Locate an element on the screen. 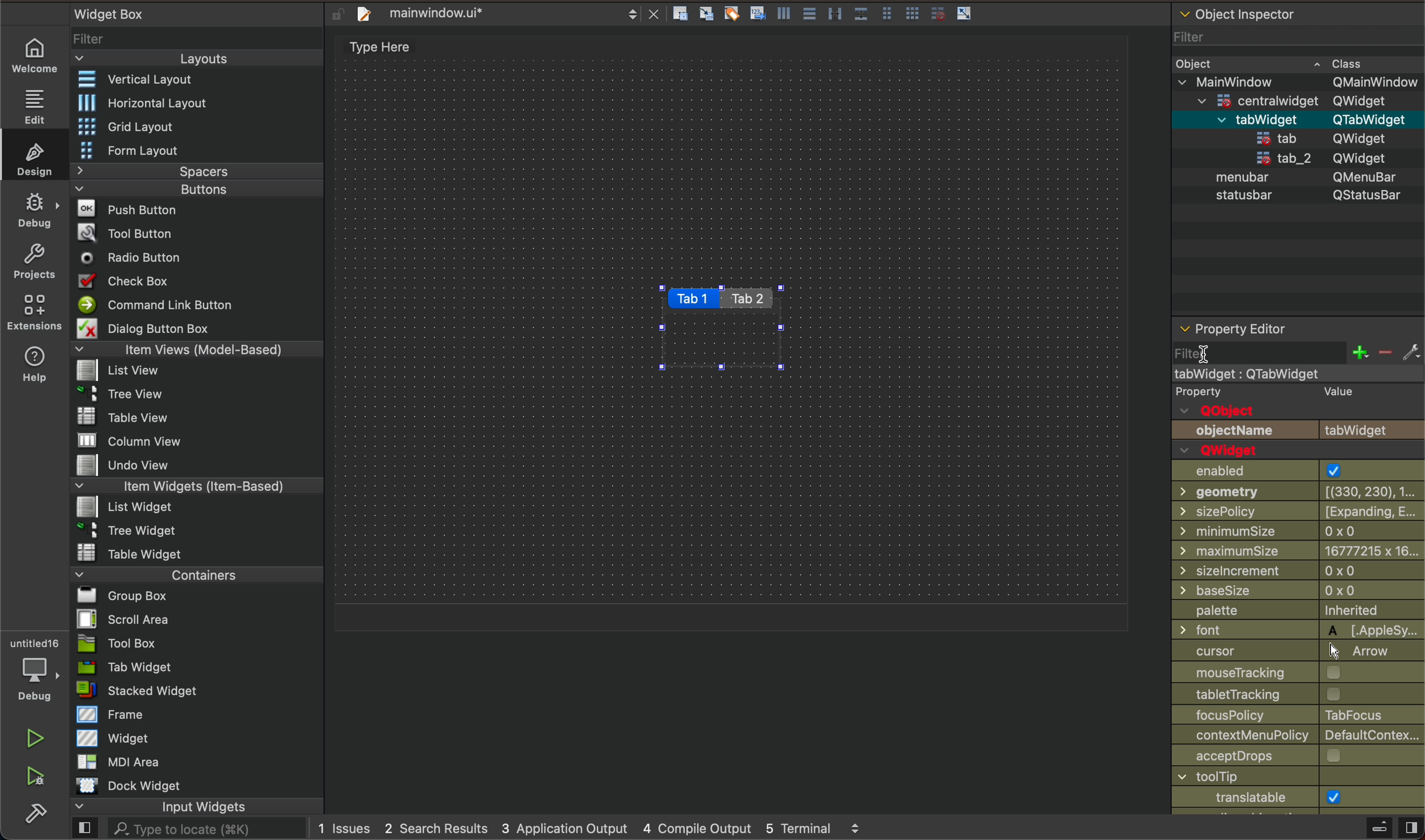  focus is located at coordinates (1300, 716).